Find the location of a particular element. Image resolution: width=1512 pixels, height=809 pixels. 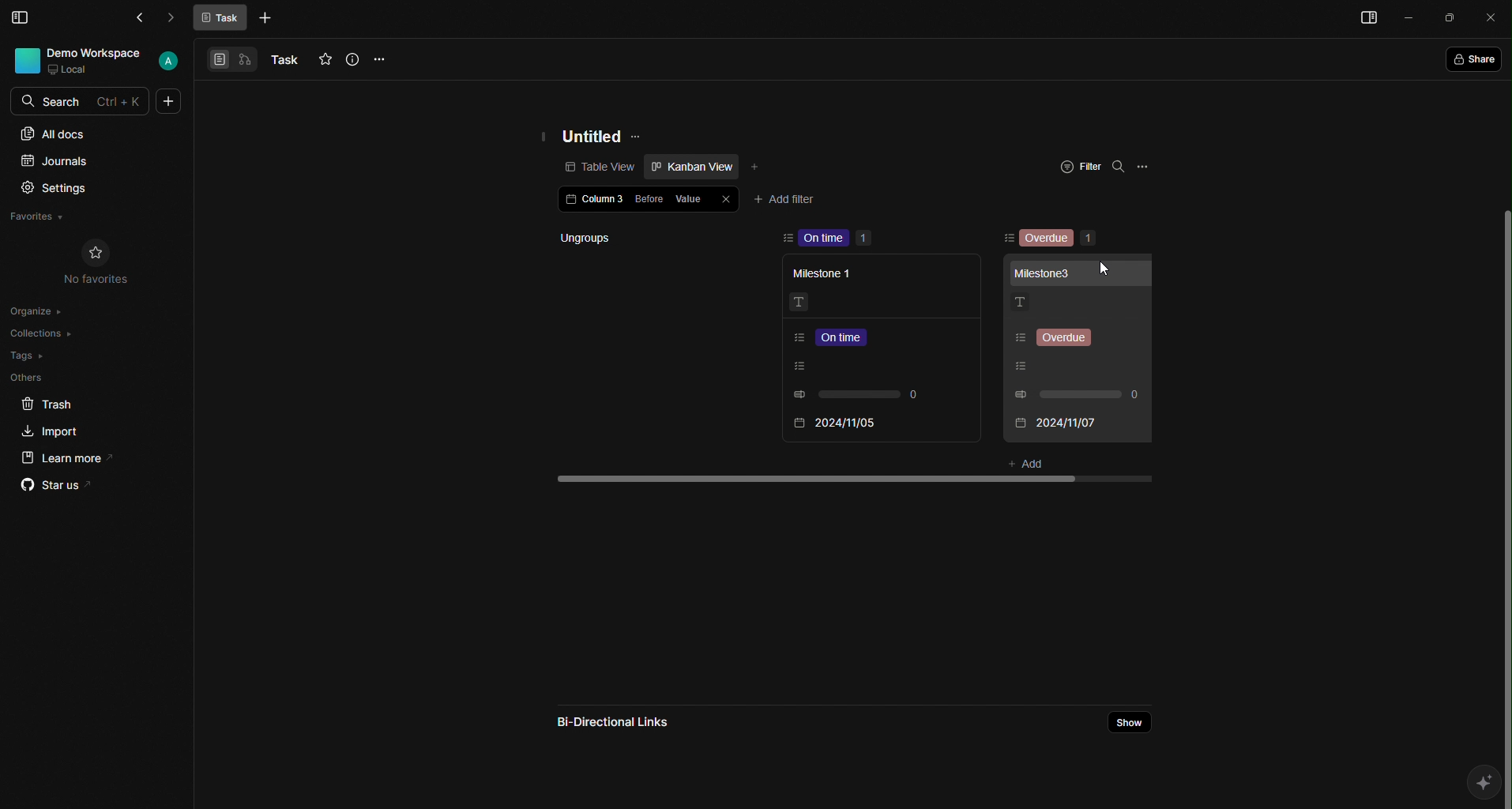

Favourites is located at coordinates (325, 58).